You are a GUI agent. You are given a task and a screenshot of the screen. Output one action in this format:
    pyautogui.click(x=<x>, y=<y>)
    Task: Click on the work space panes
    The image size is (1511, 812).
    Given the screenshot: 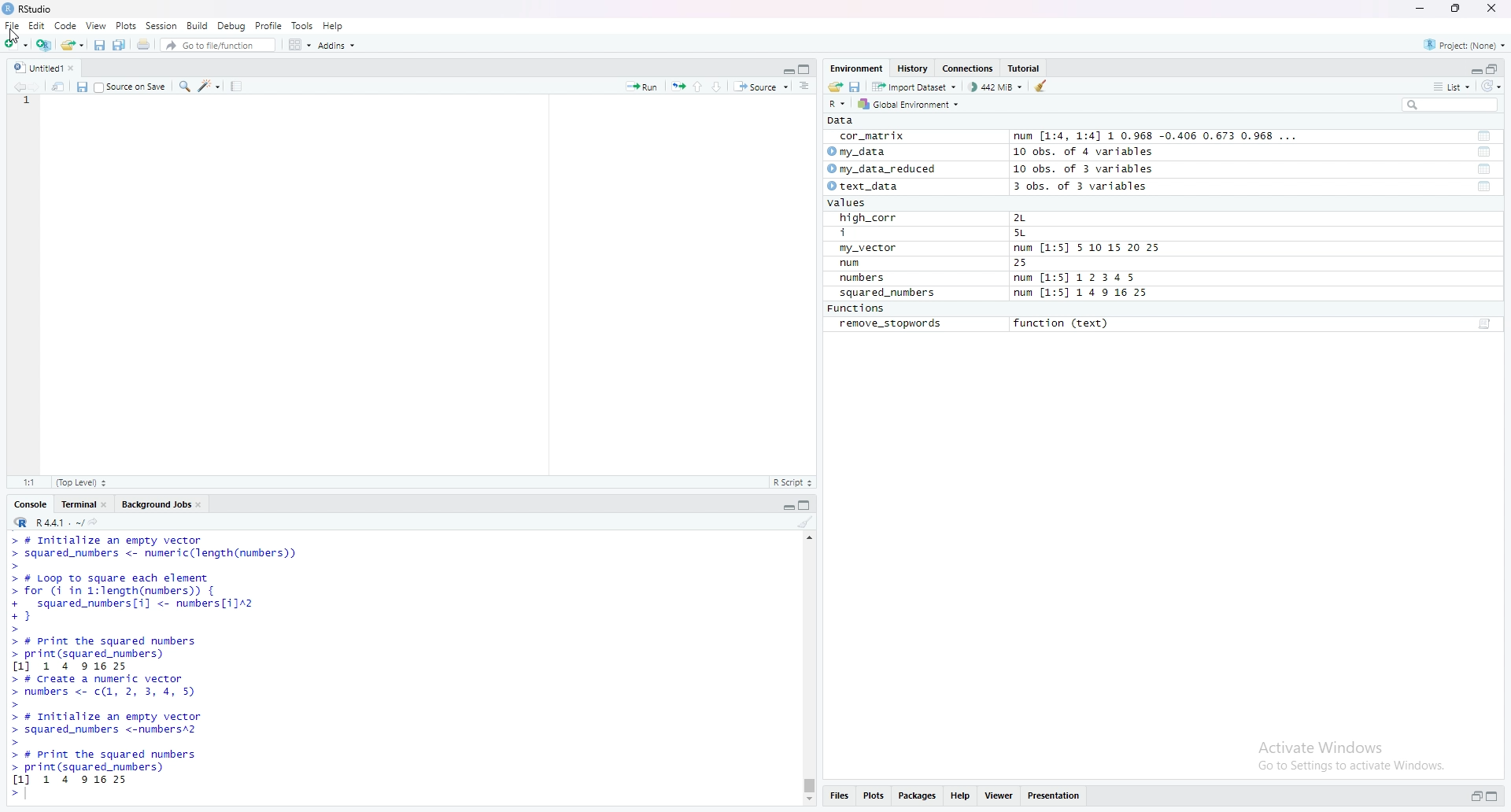 What is the action you would take?
    pyautogui.click(x=299, y=43)
    